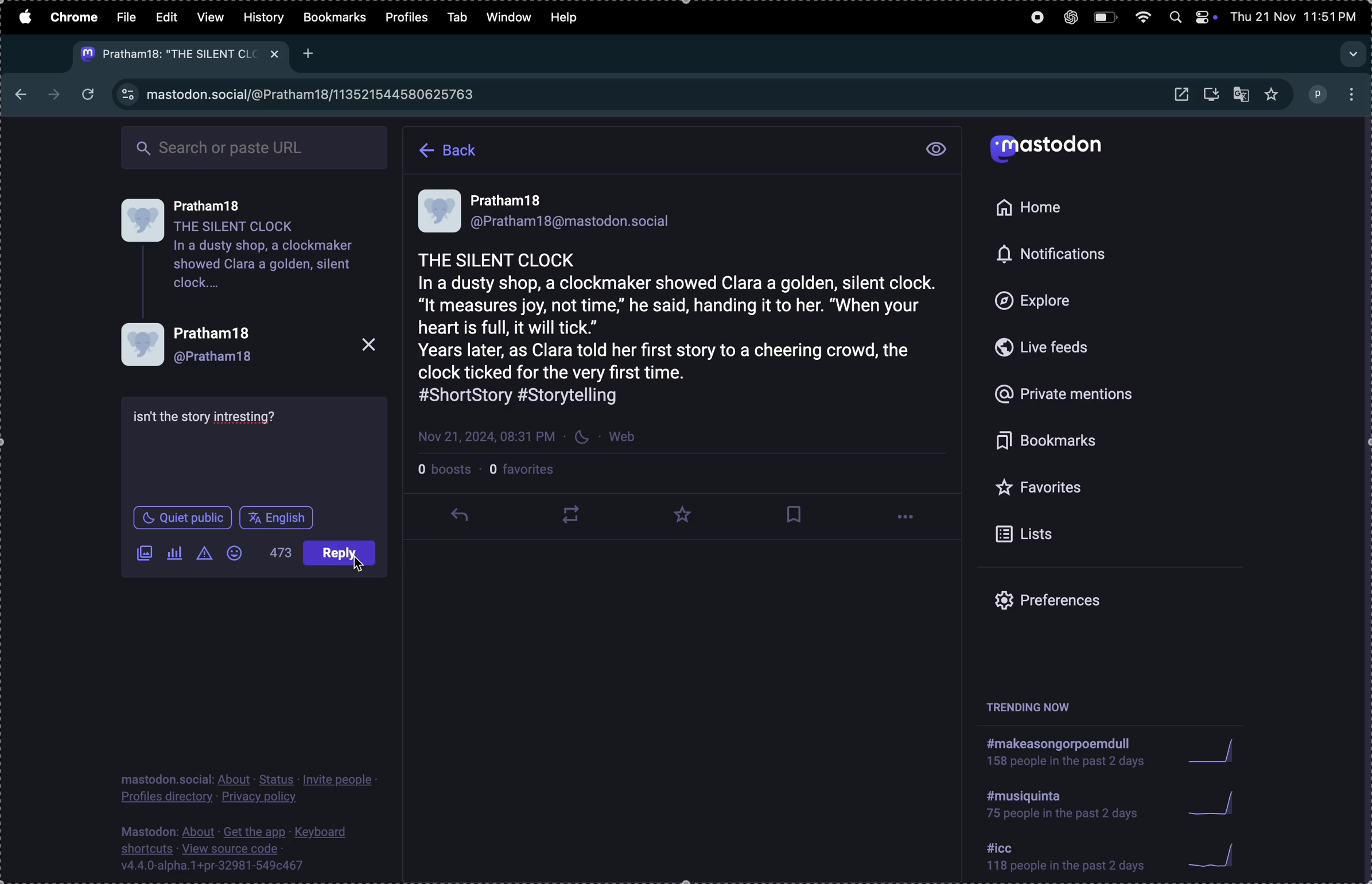 The width and height of the screenshot is (1372, 884). Describe the element at coordinates (460, 519) in the screenshot. I see `reply` at that location.